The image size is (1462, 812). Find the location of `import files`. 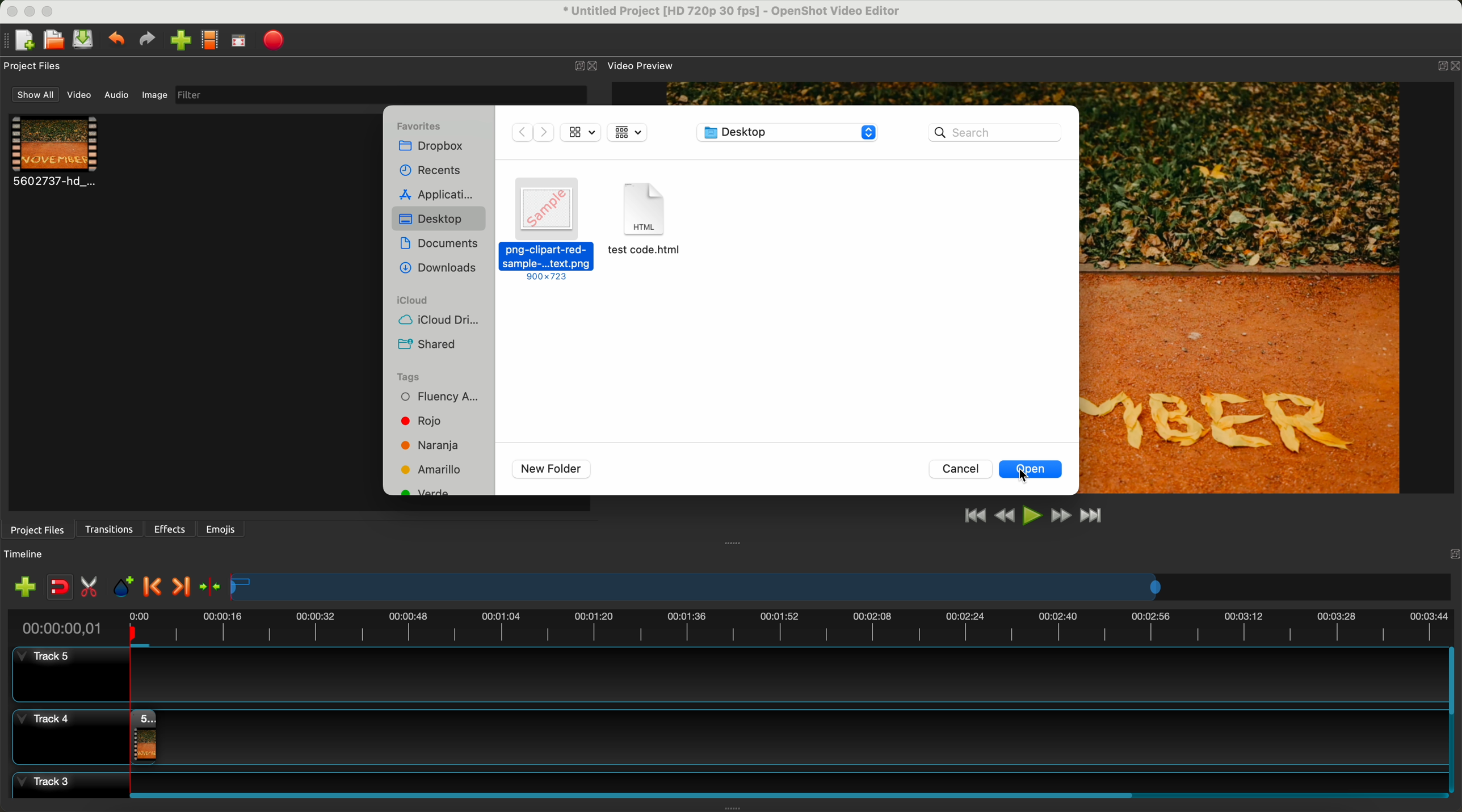

import files is located at coordinates (22, 586).